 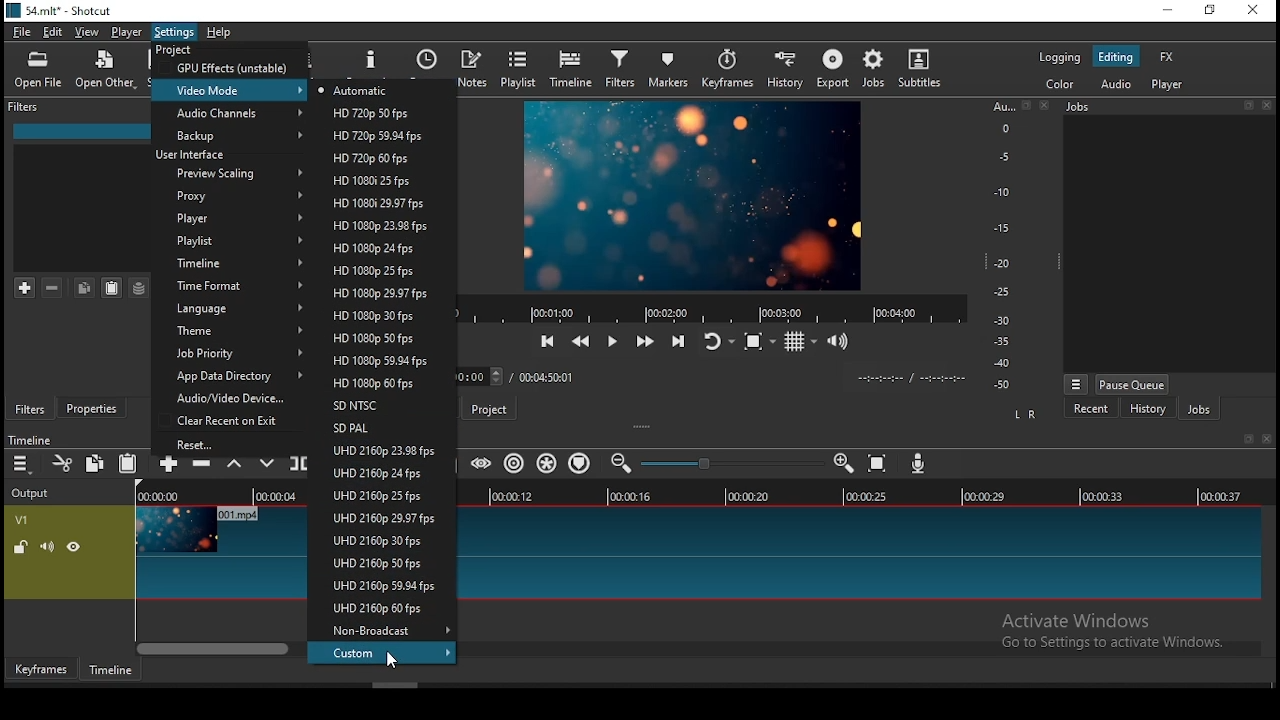 What do you see at coordinates (375, 361) in the screenshot?
I see `resolution option` at bounding box center [375, 361].